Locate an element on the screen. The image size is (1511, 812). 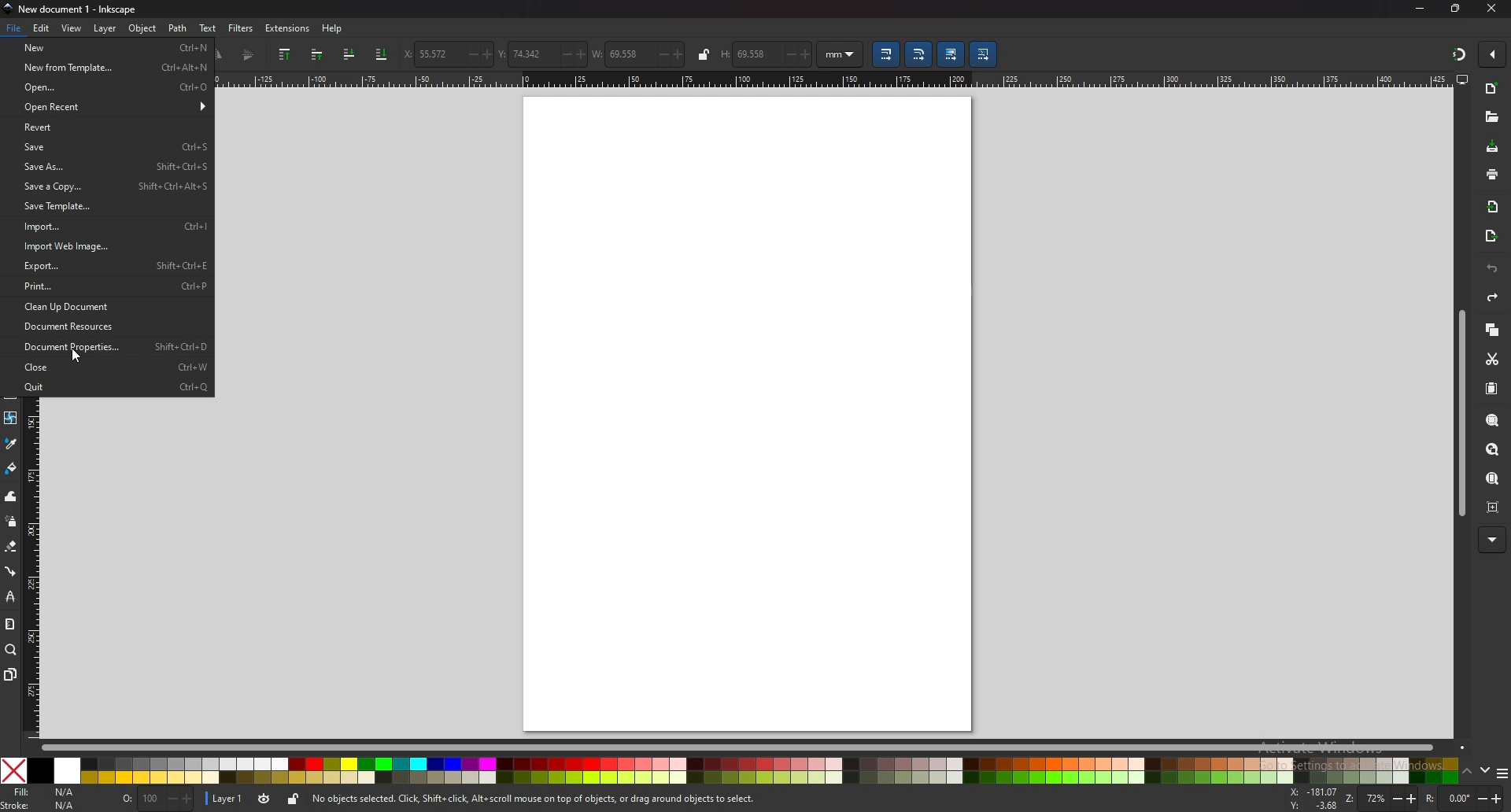
zoom page is located at coordinates (1493, 478).